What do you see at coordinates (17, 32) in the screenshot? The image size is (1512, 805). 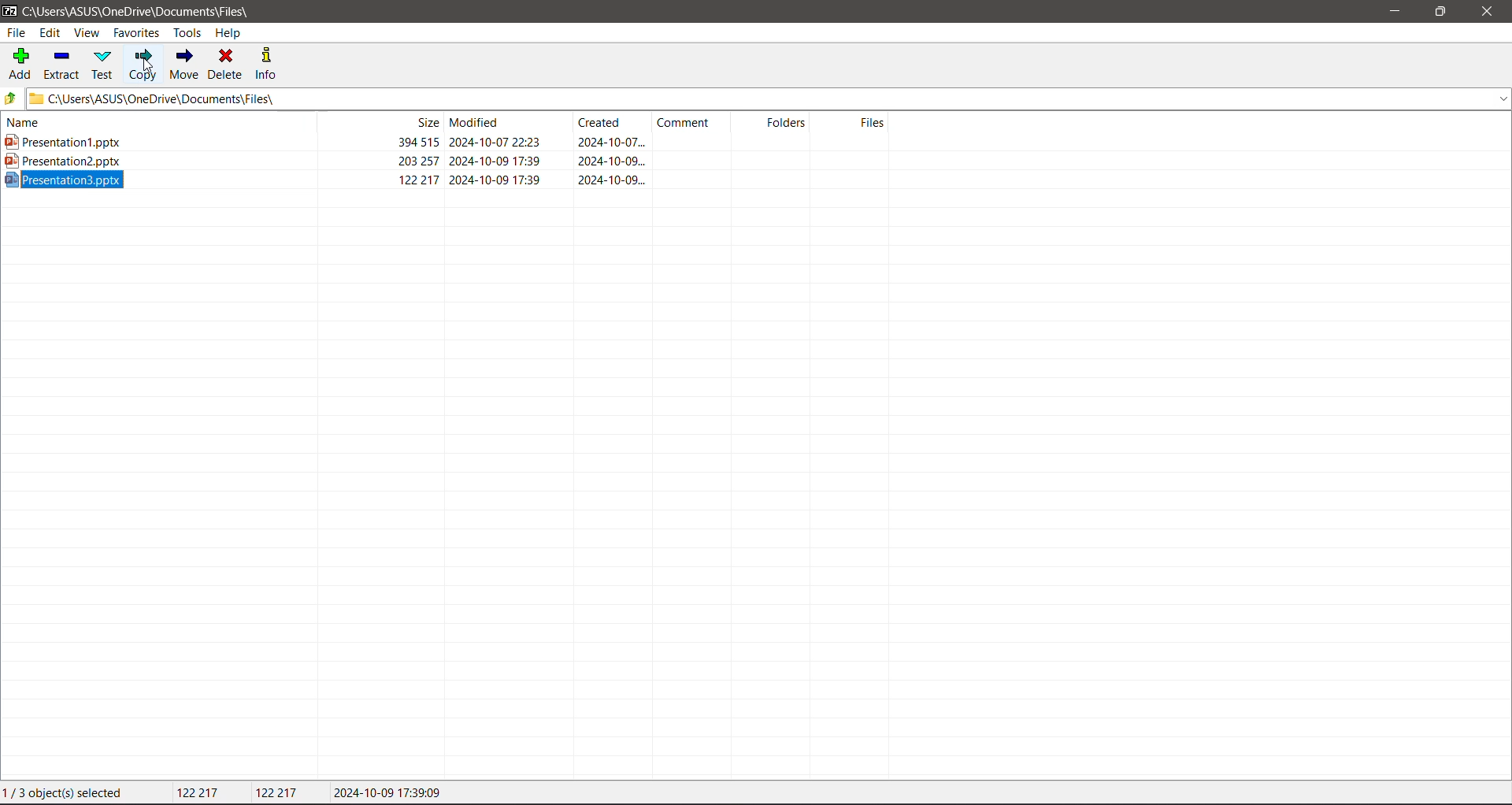 I see `File` at bounding box center [17, 32].